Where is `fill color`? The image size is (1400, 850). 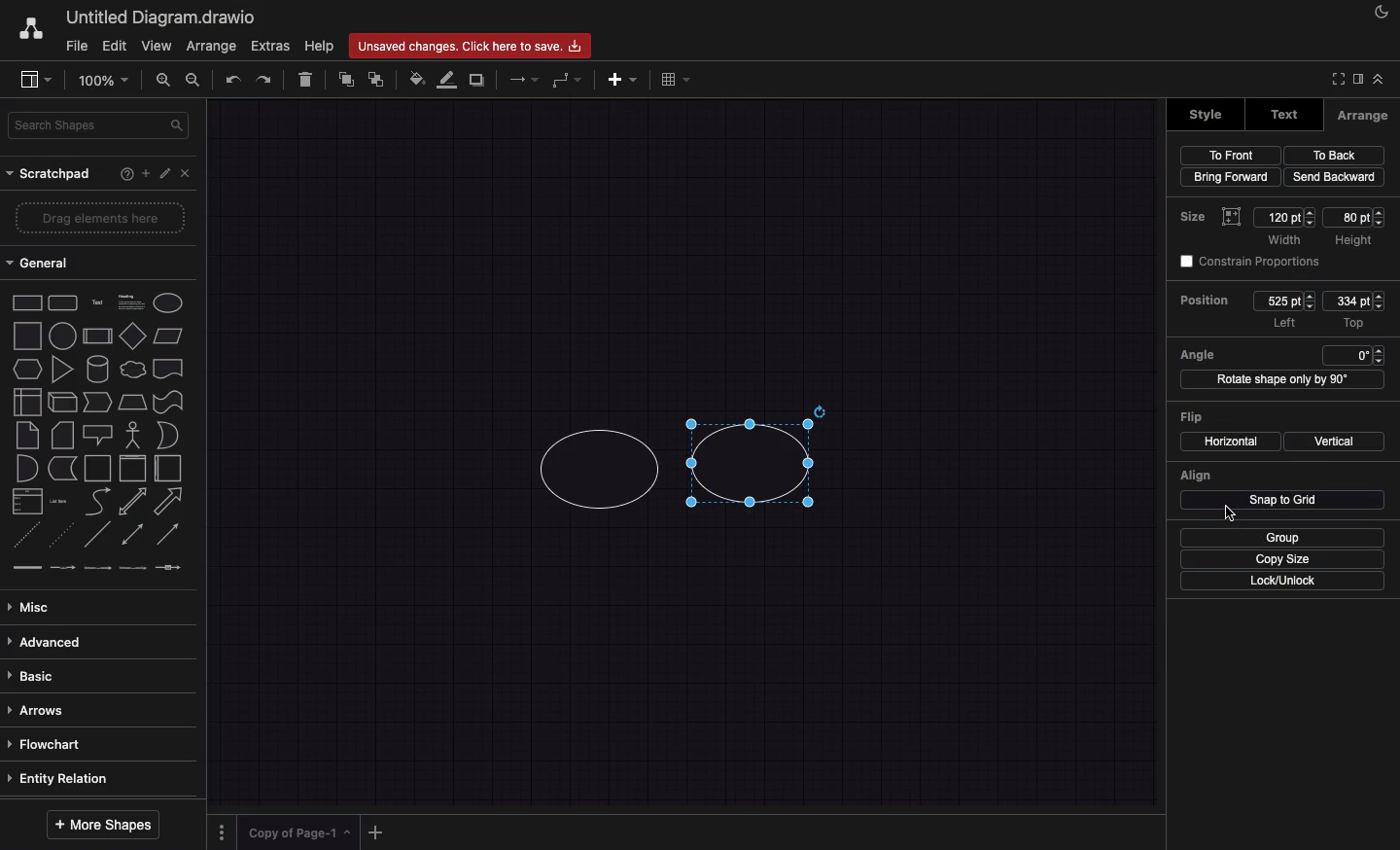 fill color is located at coordinates (414, 80).